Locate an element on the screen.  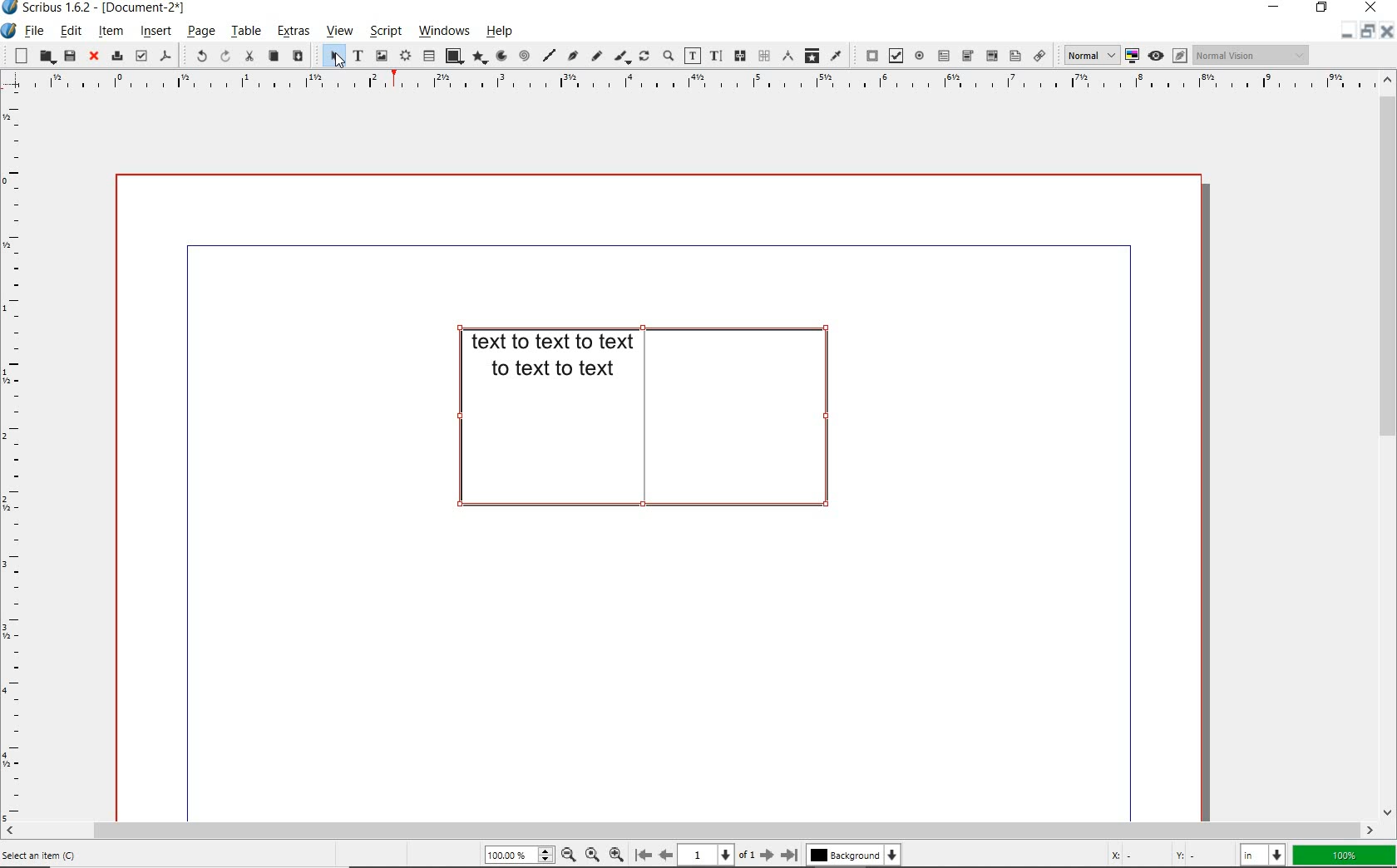
script is located at coordinates (383, 31).